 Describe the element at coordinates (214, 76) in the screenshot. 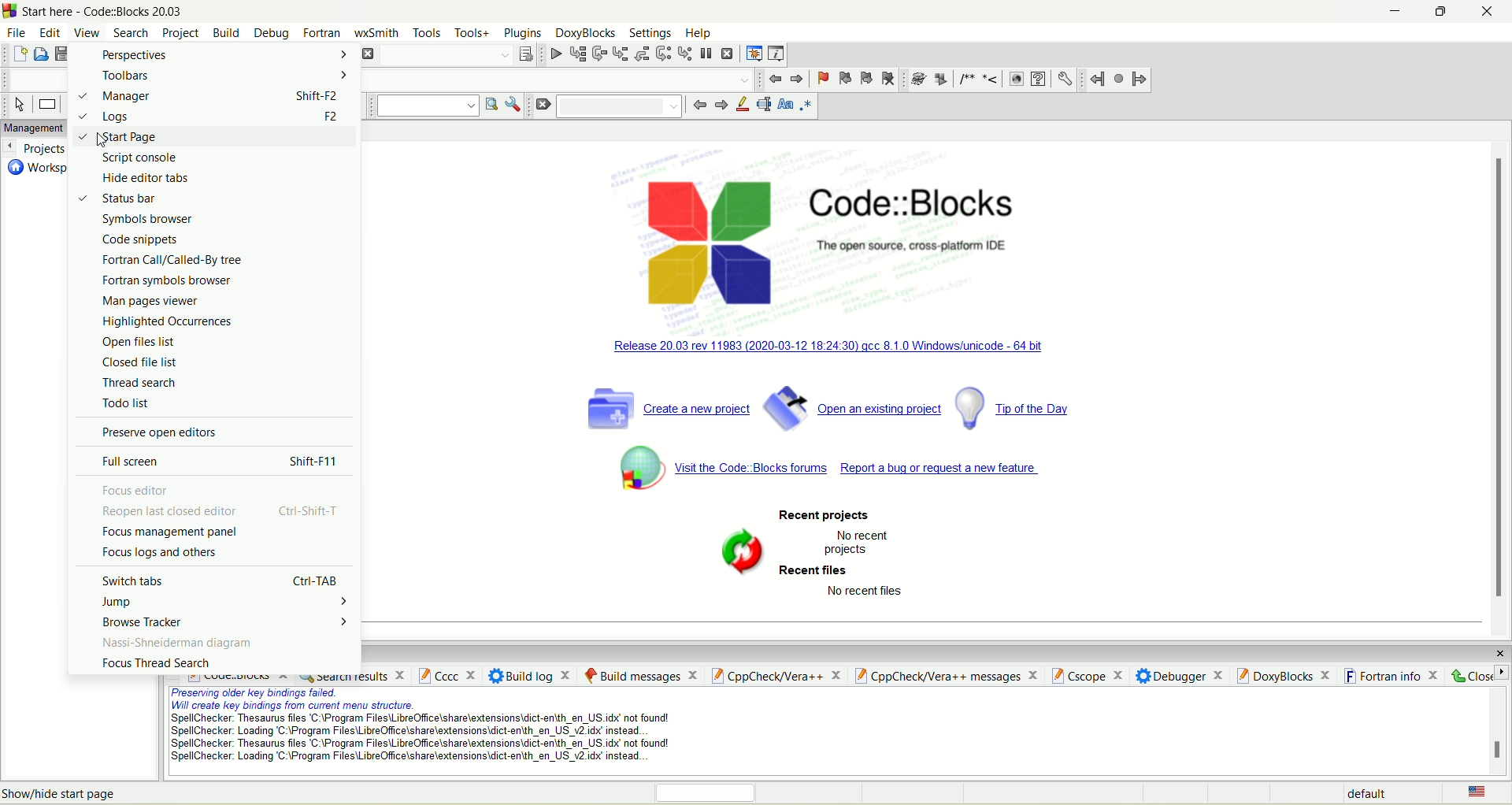

I see `toolbars` at that location.